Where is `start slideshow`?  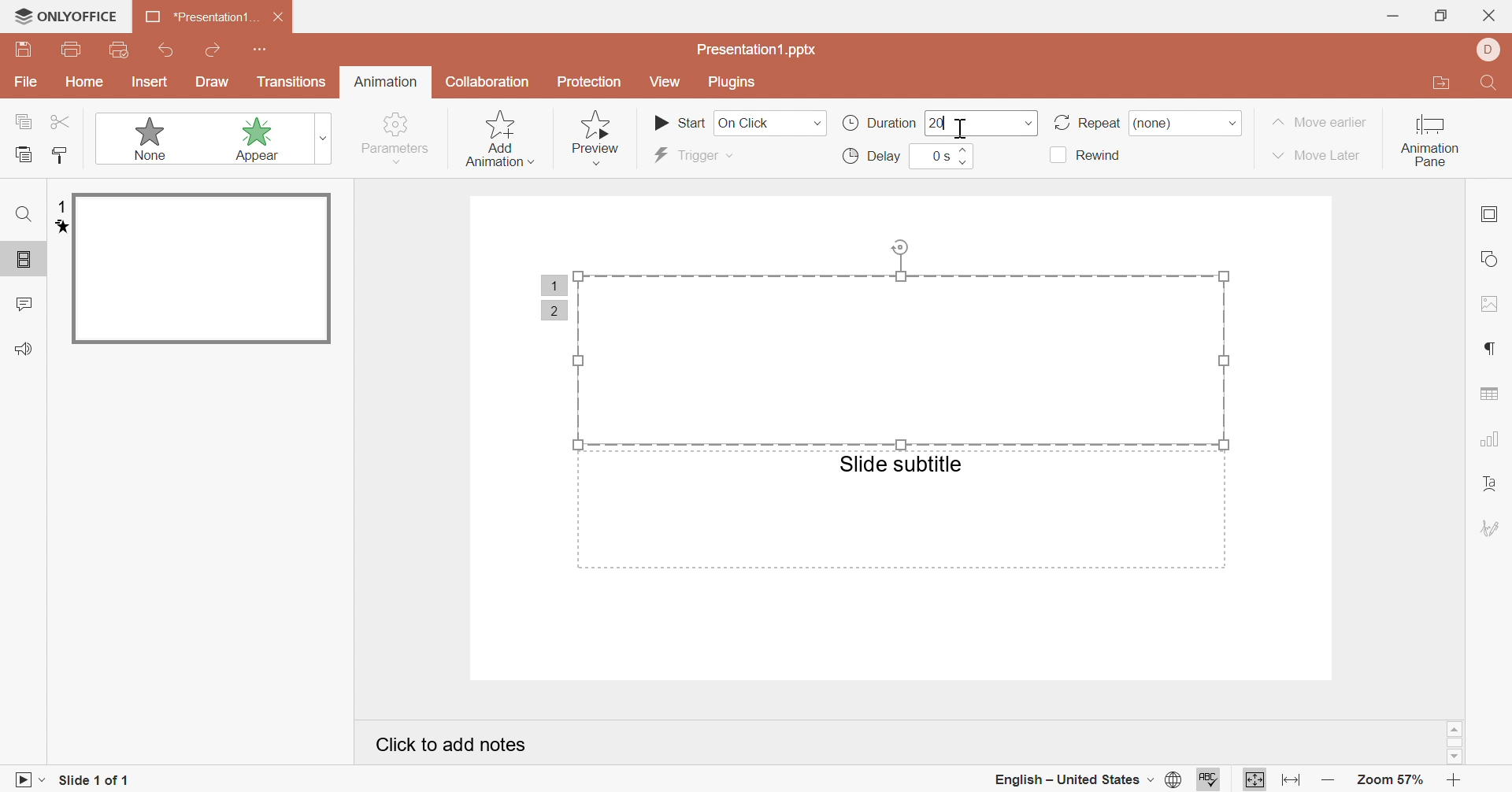
start slideshow is located at coordinates (24, 783).